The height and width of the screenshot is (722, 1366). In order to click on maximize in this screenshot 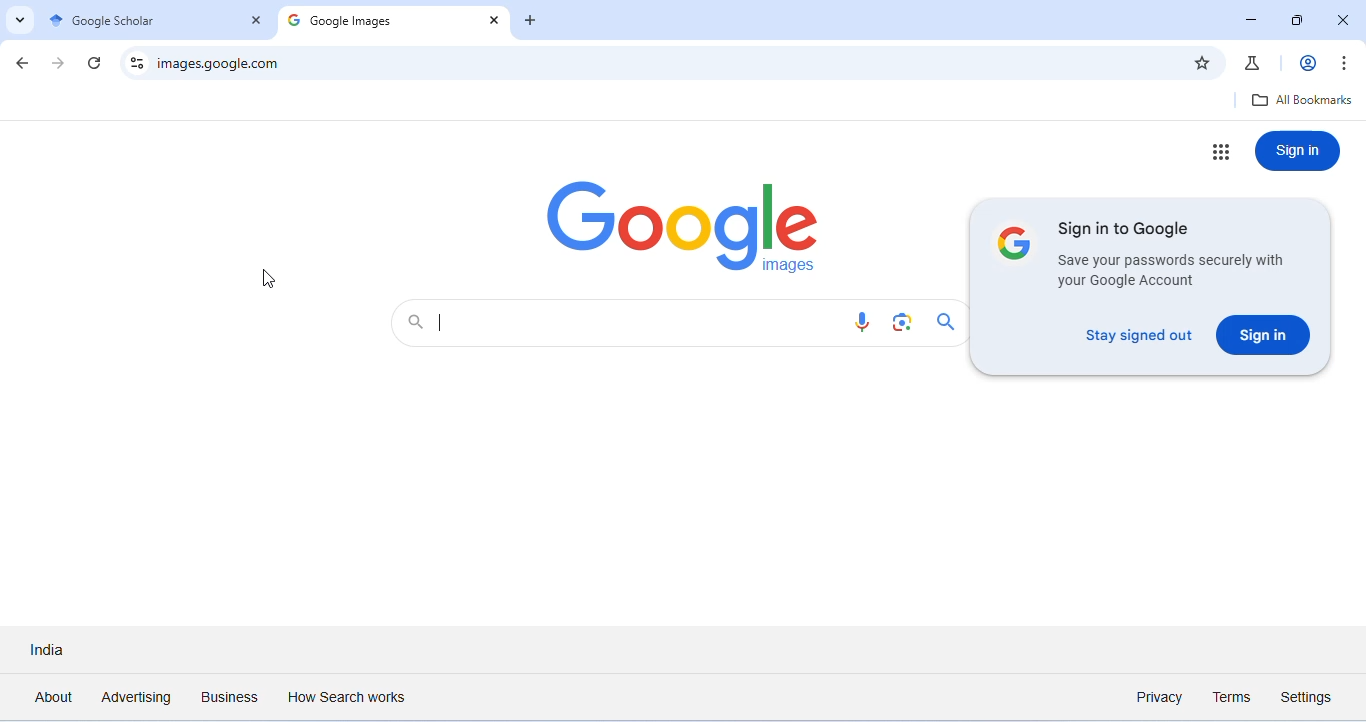, I will do `click(1298, 20)`.